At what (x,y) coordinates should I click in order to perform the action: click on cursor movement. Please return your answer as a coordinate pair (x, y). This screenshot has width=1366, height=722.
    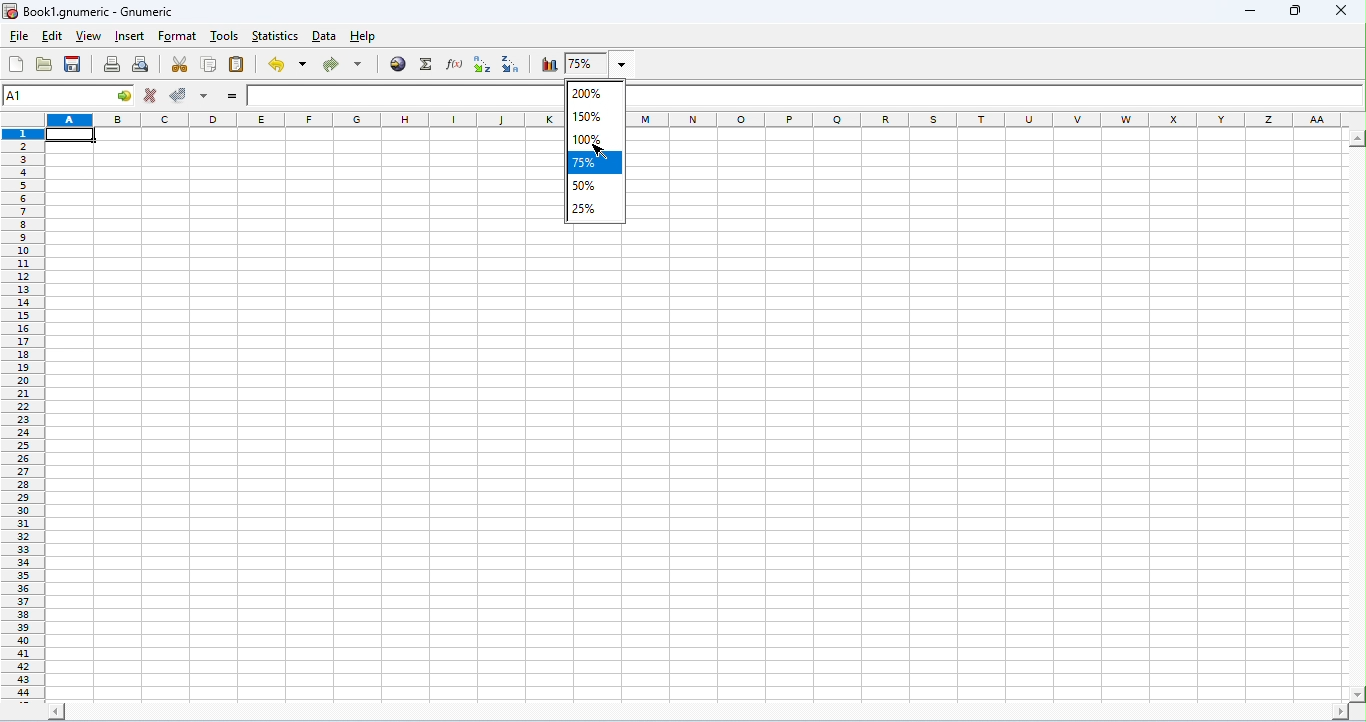
    Looking at the image, I should click on (603, 151).